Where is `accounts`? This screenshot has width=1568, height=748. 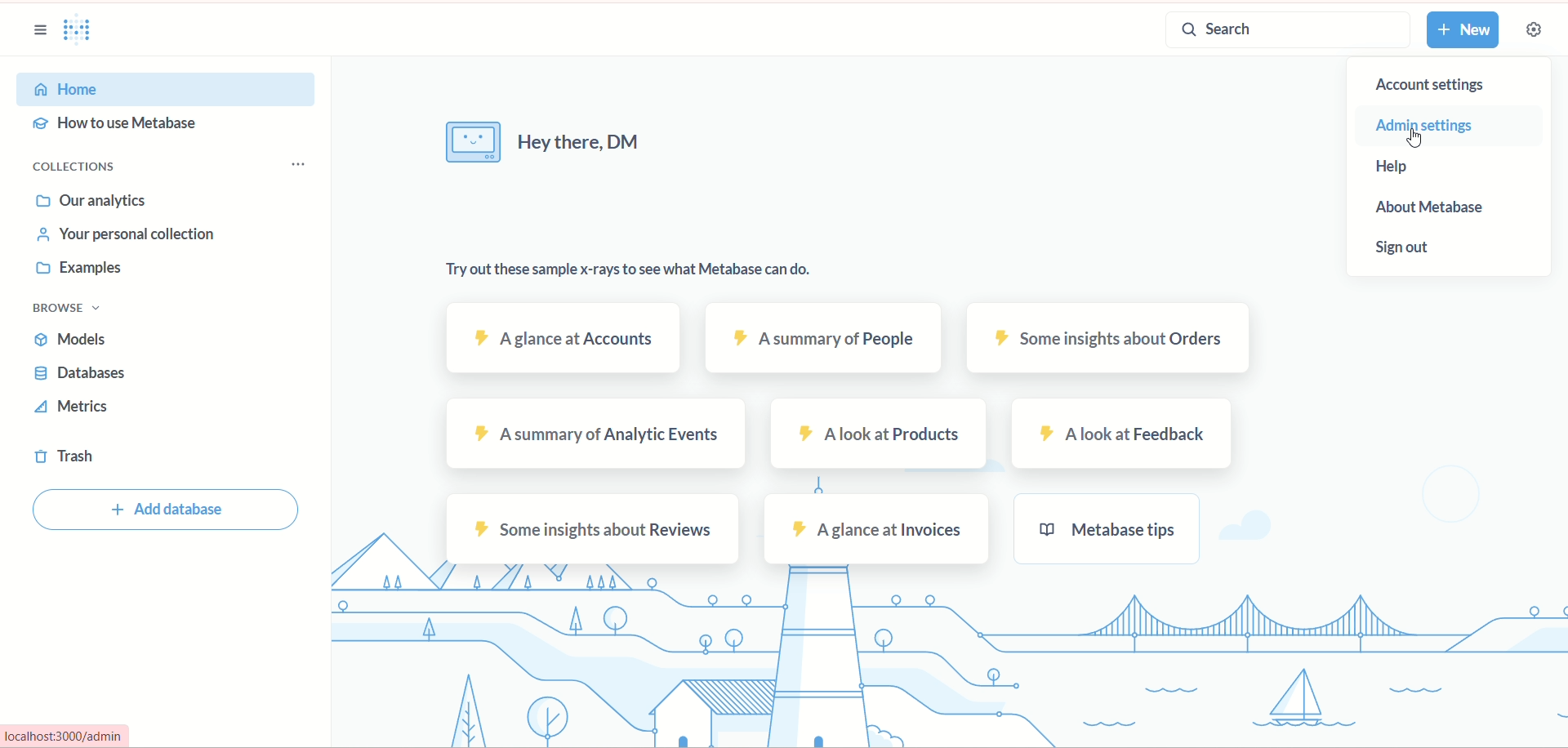
accounts is located at coordinates (562, 338).